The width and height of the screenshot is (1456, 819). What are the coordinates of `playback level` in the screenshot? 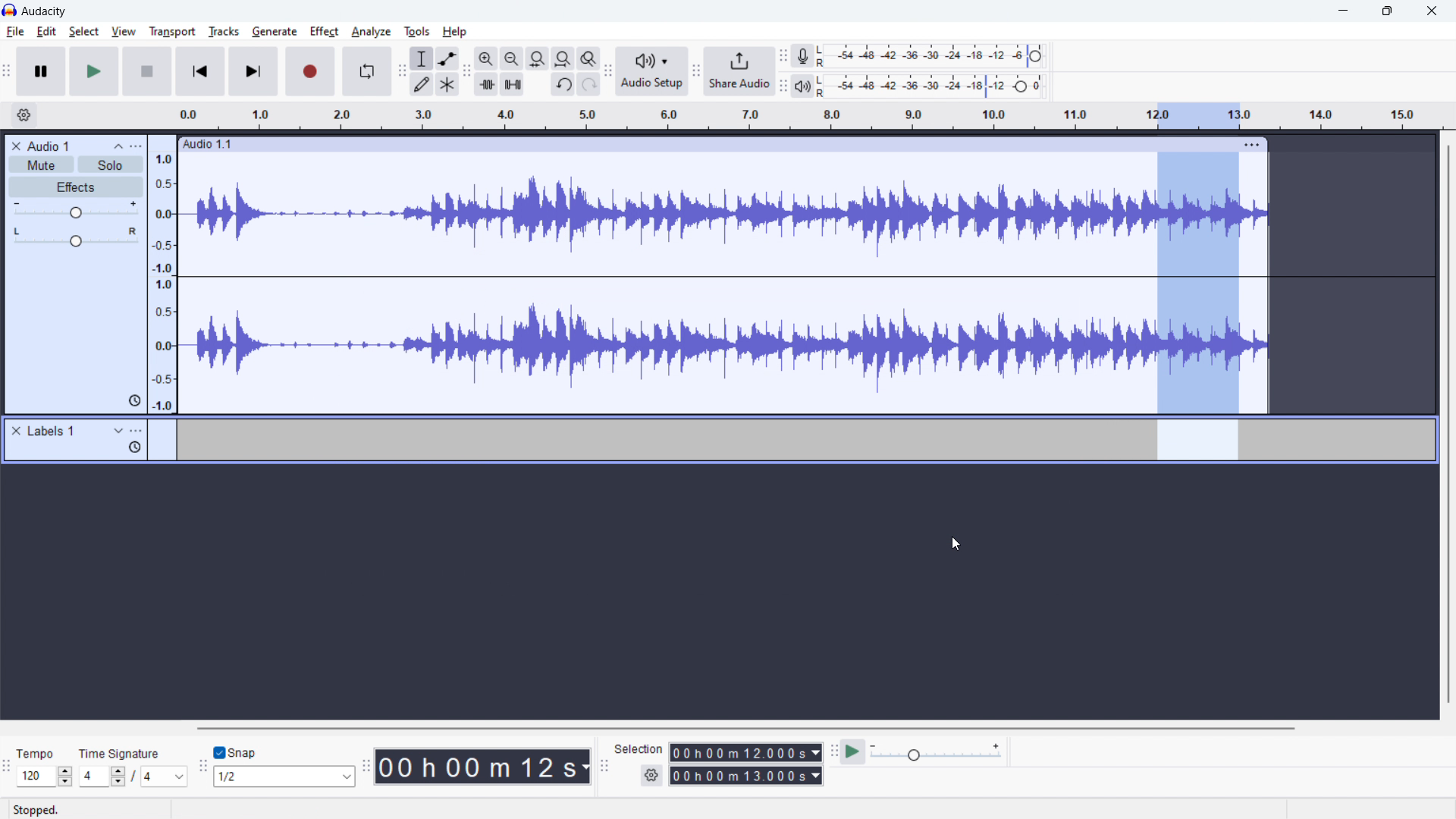 It's located at (942, 85).